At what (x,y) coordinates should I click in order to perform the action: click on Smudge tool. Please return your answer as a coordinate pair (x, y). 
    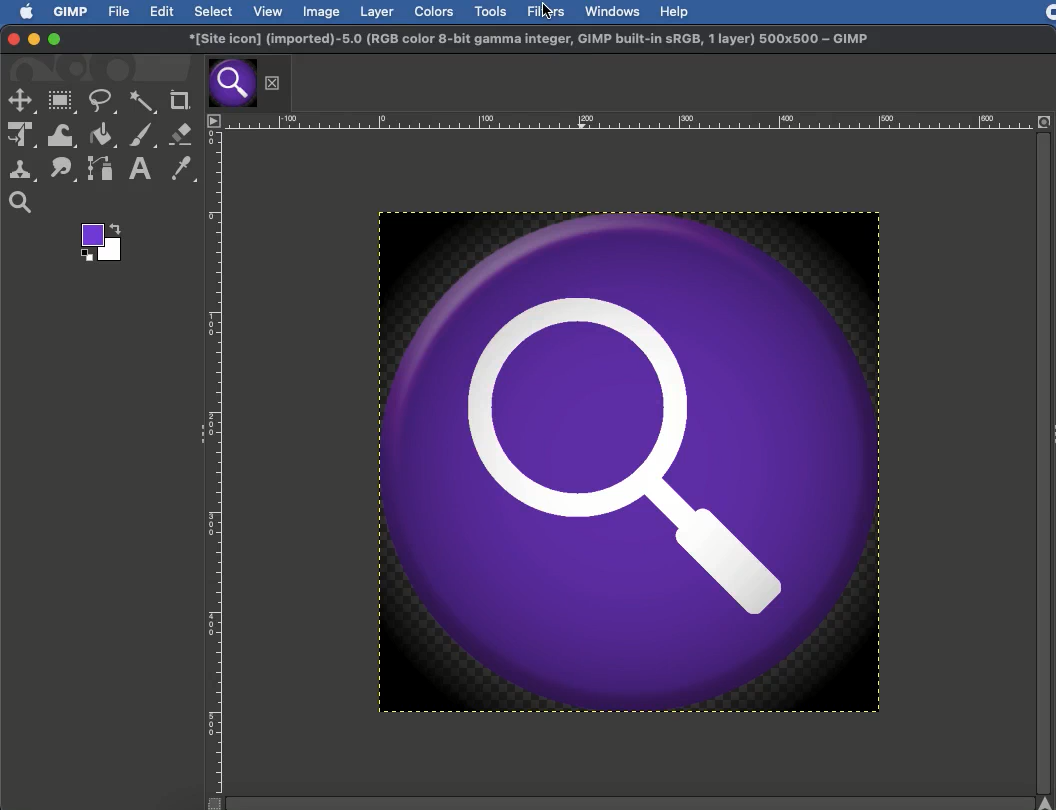
    Looking at the image, I should click on (64, 170).